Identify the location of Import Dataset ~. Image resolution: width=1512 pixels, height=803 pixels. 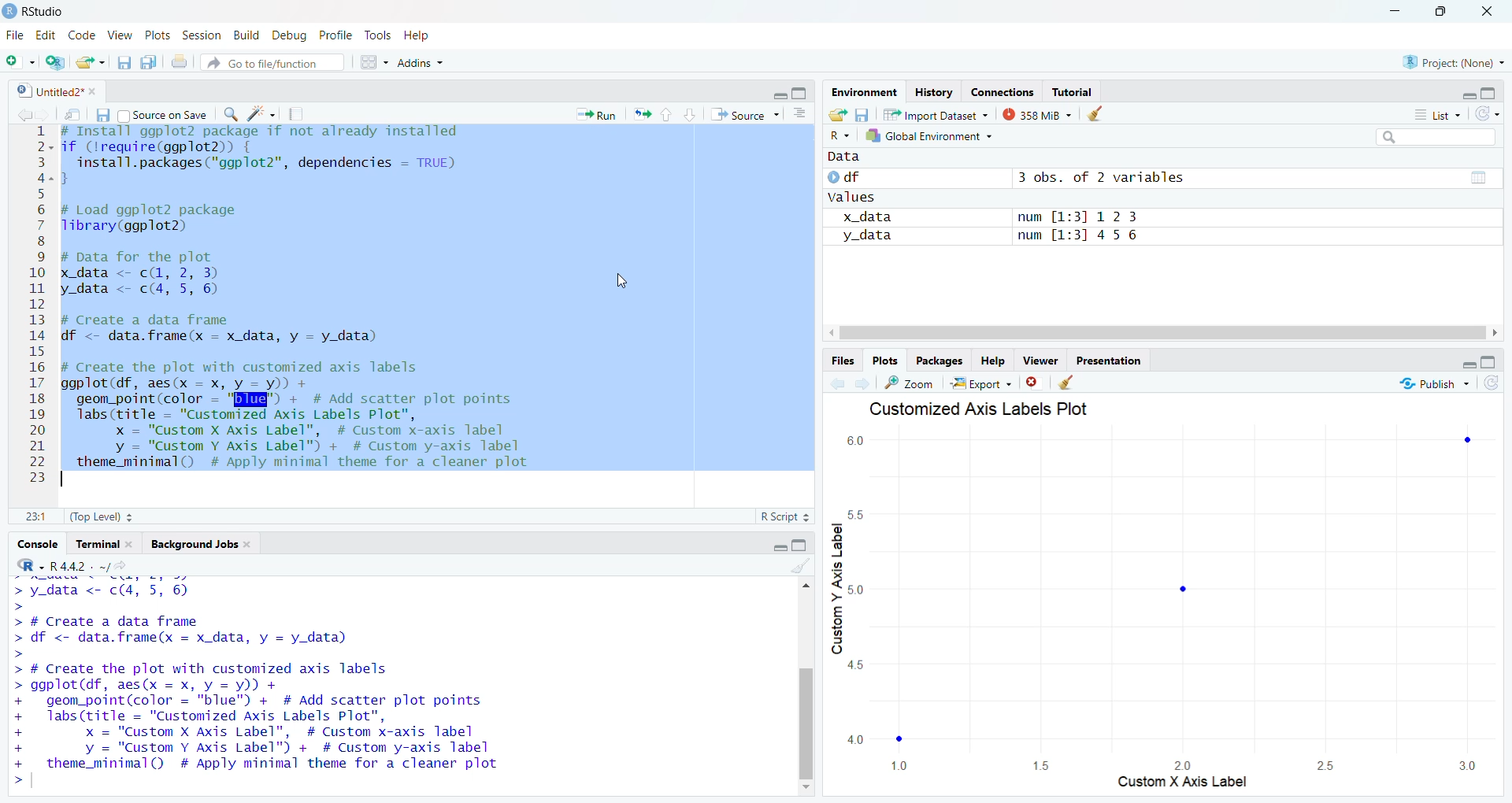
(937, 117).